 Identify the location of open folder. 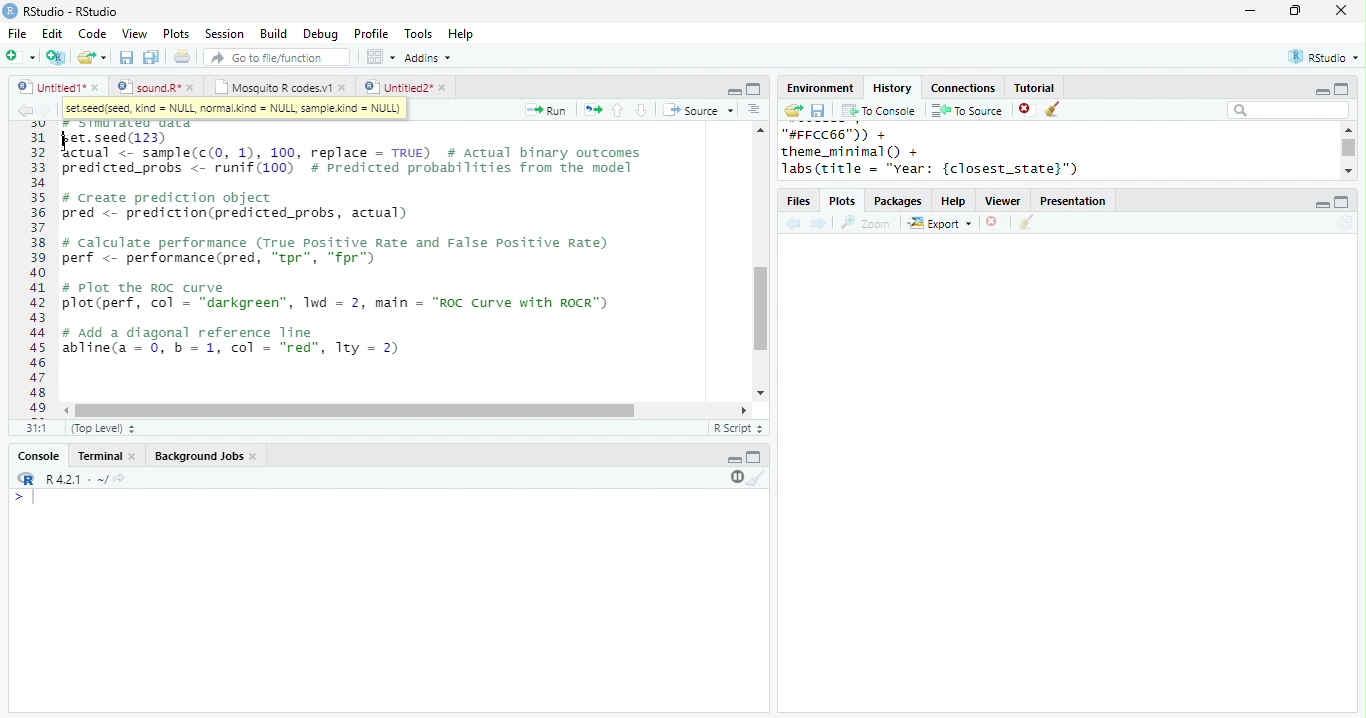
(792, 110).